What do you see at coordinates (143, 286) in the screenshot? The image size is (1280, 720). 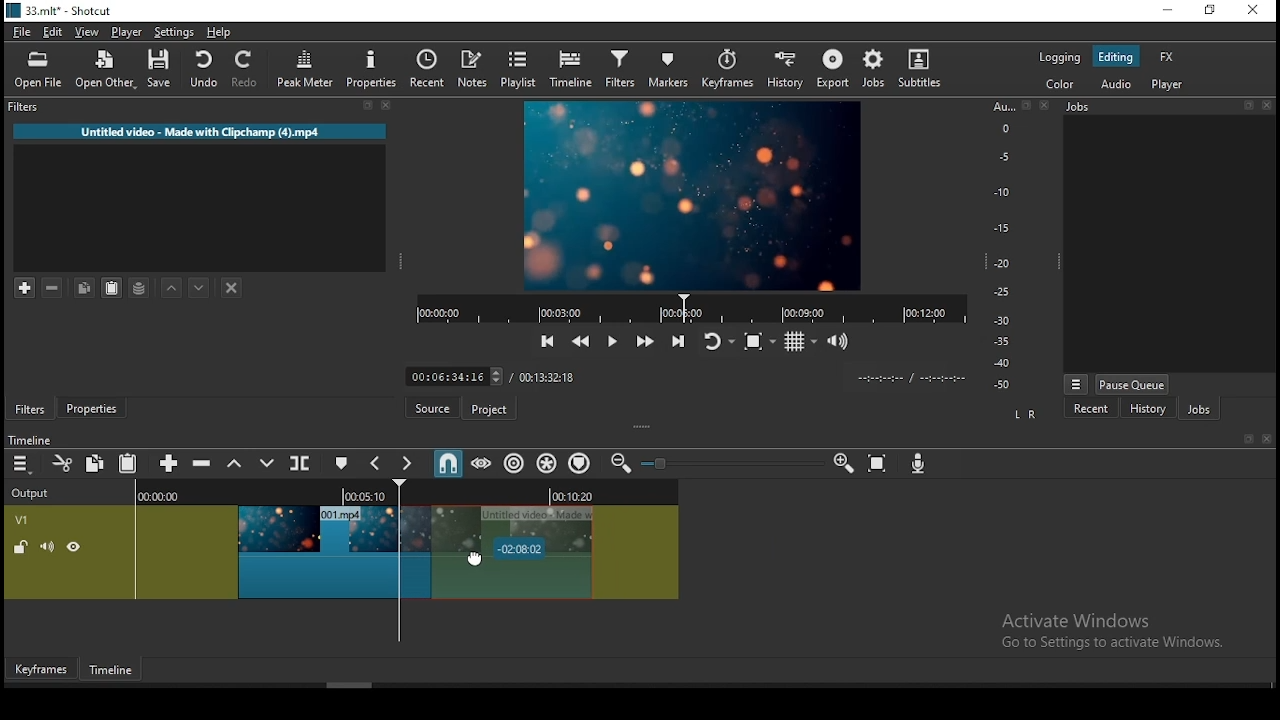 I see `save filter sets` at bounding box center [143, 286].